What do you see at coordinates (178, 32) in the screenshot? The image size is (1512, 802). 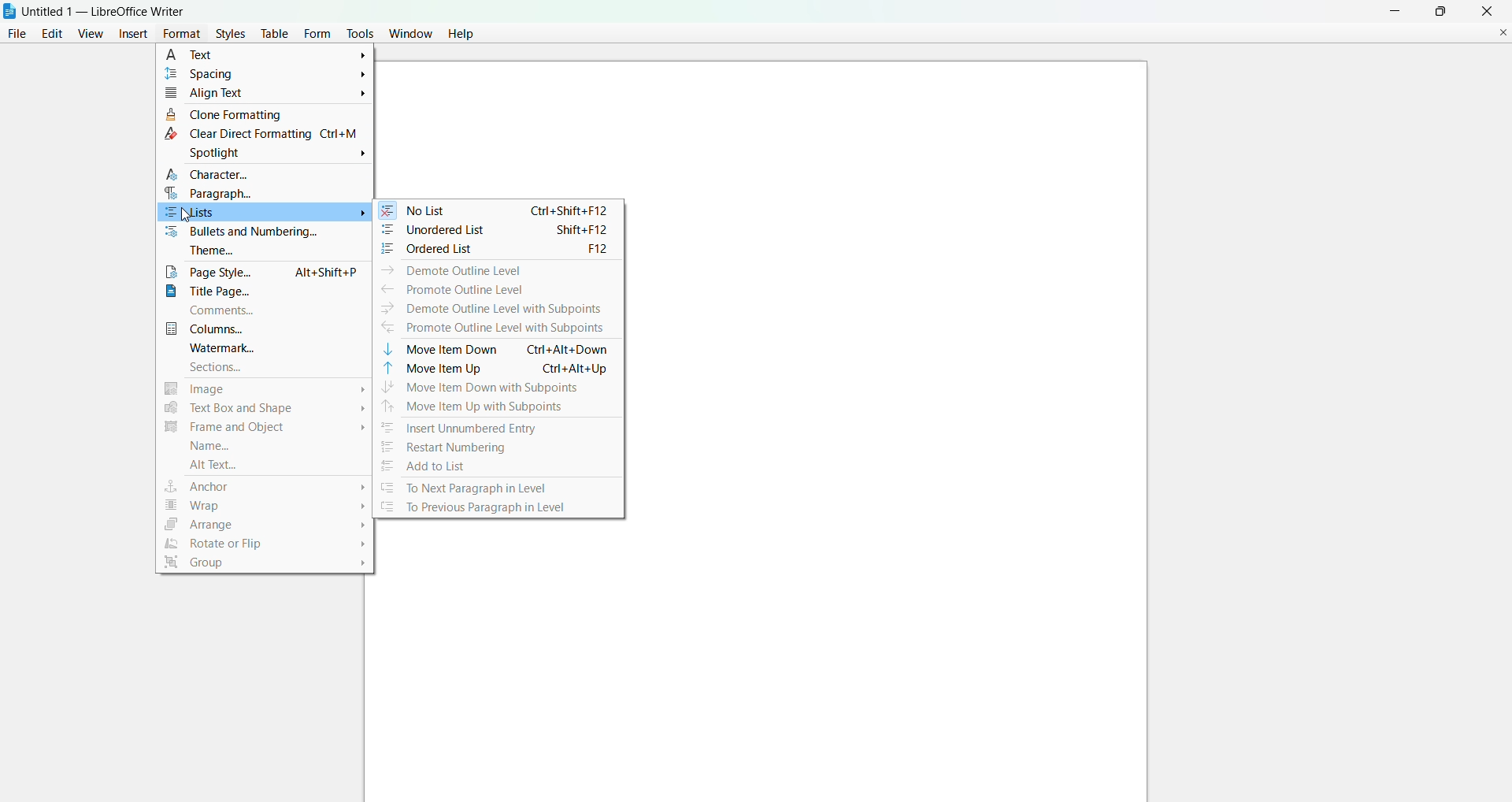 I see `format` at bounding box center [178, 32].